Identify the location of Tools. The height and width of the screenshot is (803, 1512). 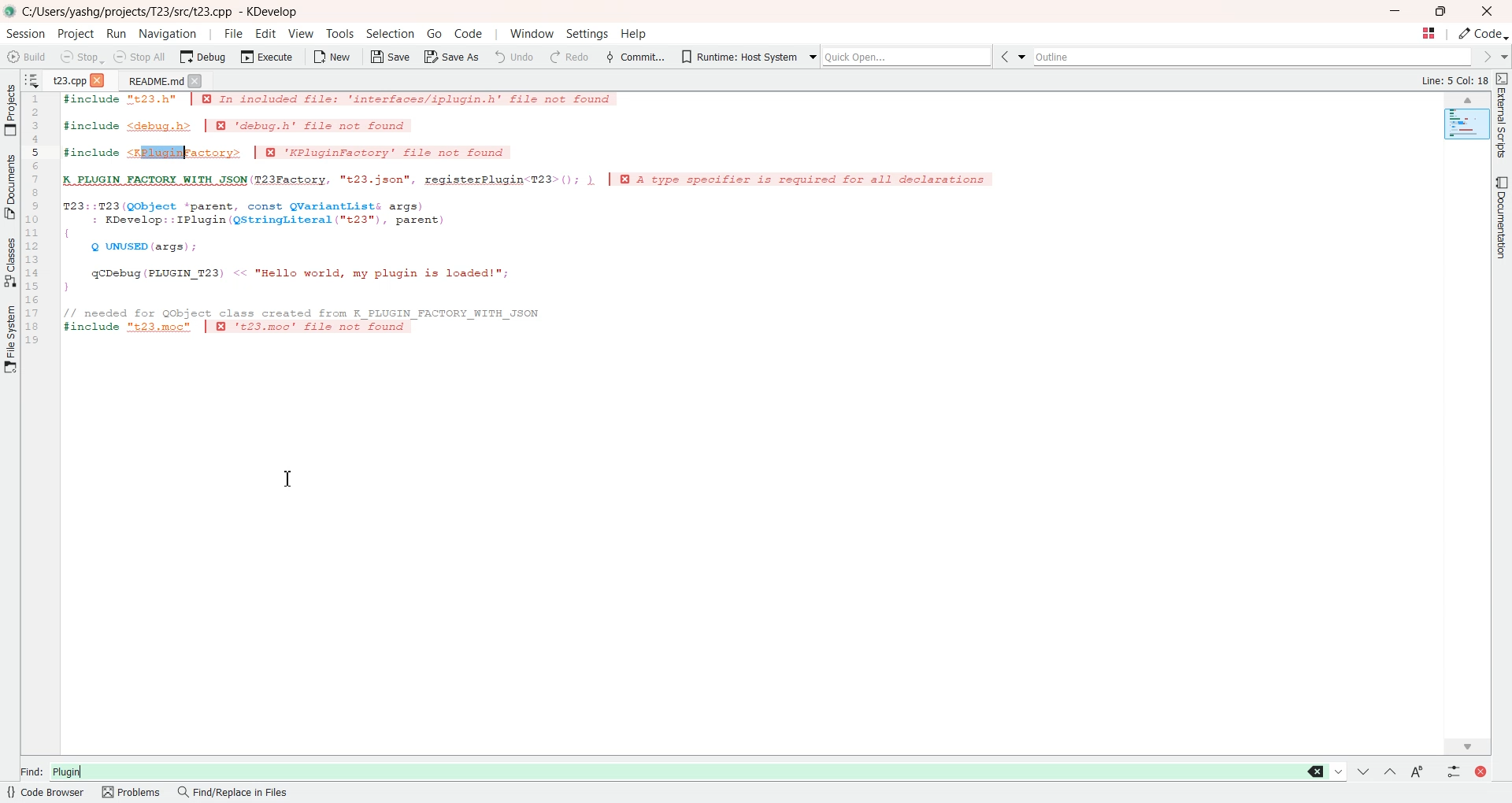
(339, 34).